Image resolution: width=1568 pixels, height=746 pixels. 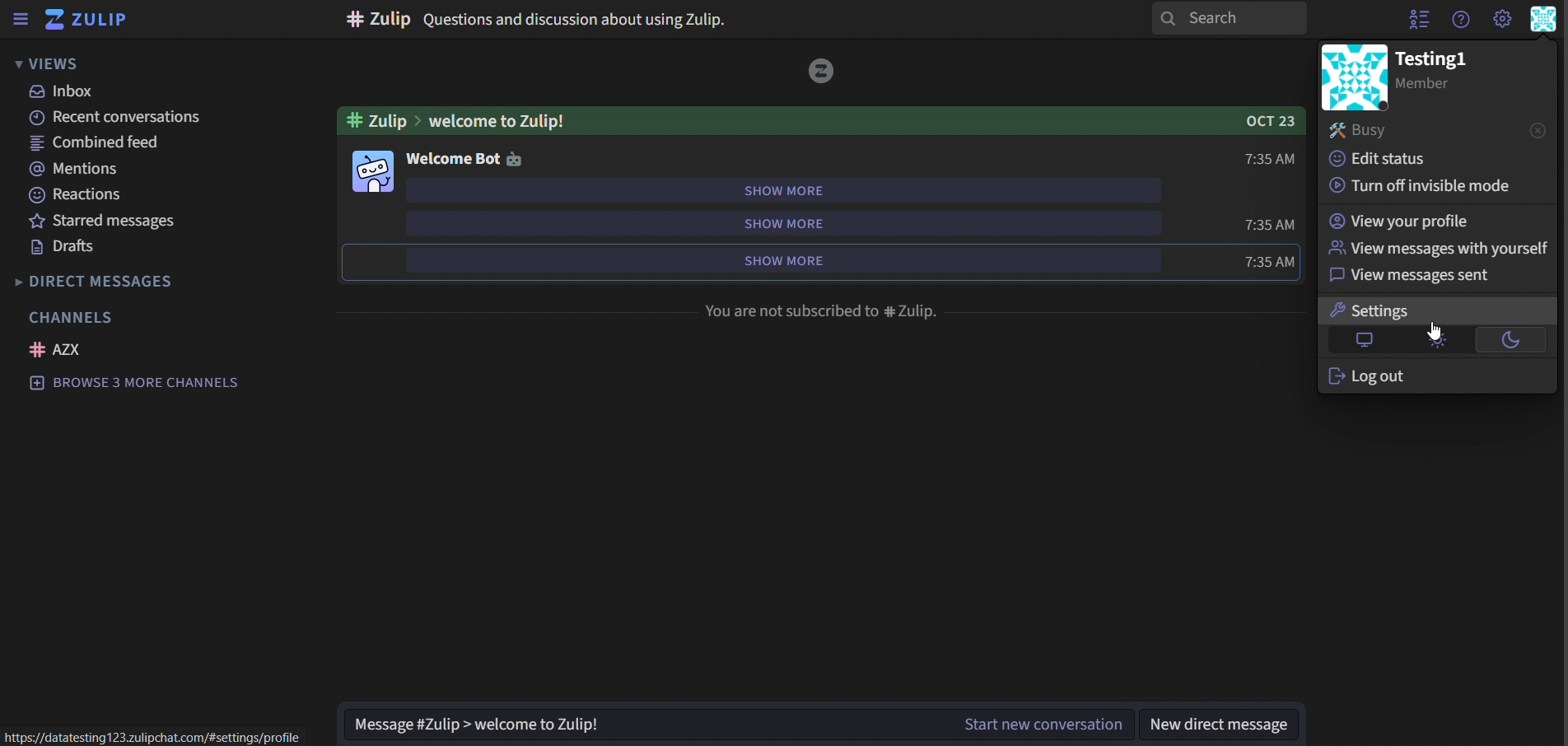 What do you see at coordinates (1432, 338) in the screenshot?
I see `light theme` at bounding box center [1432, 338].